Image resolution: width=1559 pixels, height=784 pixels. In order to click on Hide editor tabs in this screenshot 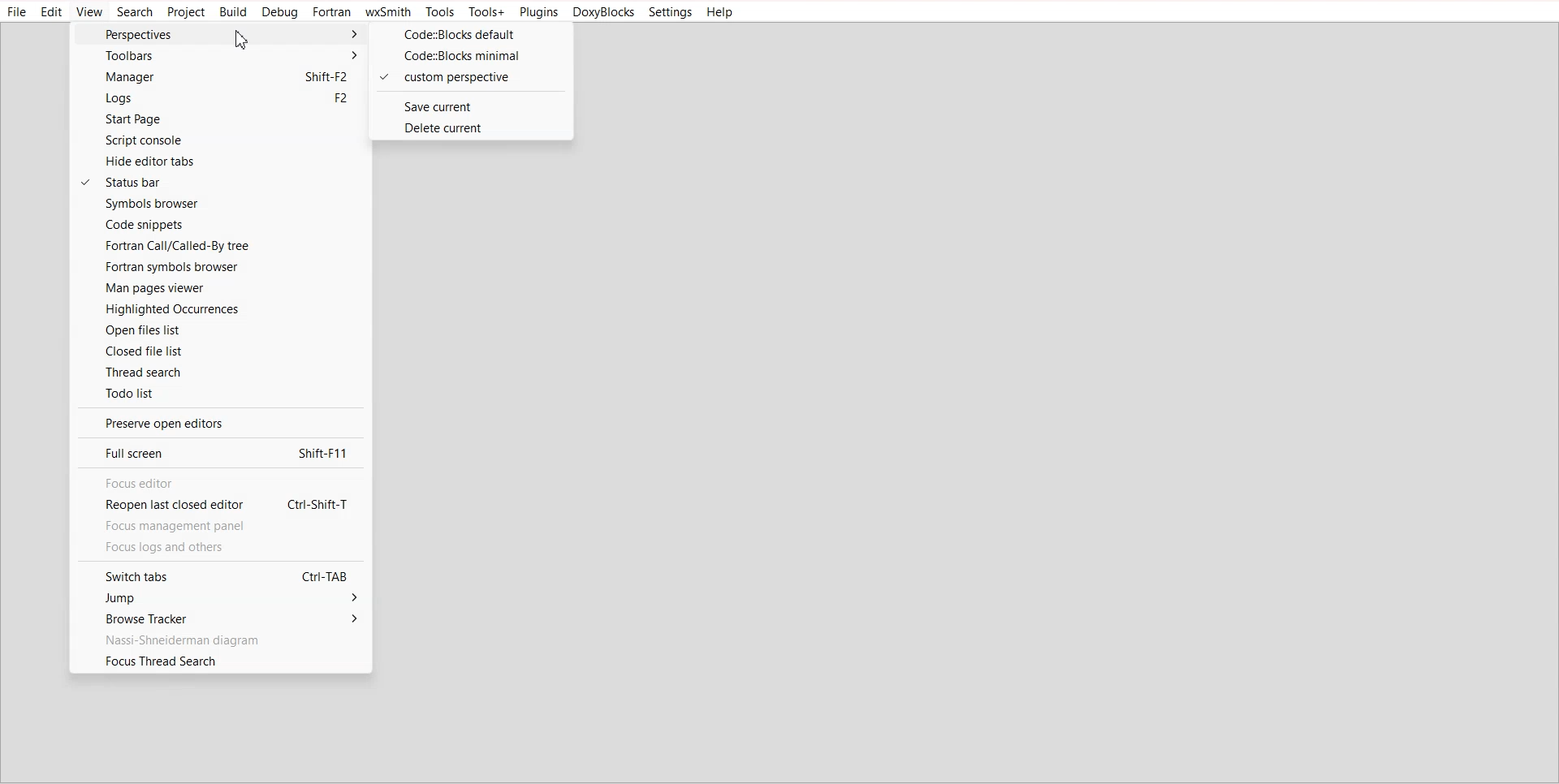, I will do `click(220, 161)`.